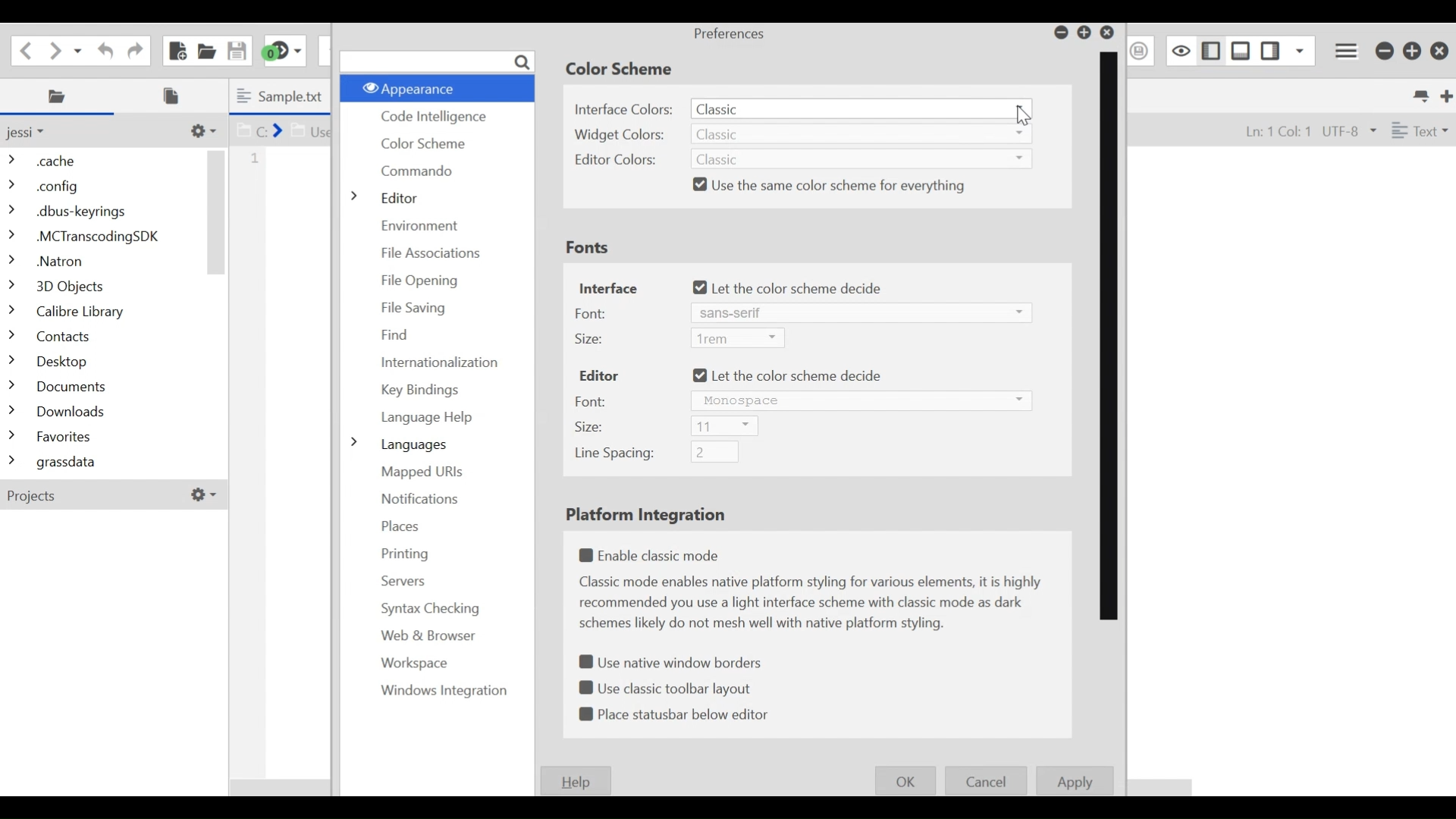  I want to click on Show/Hide Bottom Pane, so click(1241, 50).